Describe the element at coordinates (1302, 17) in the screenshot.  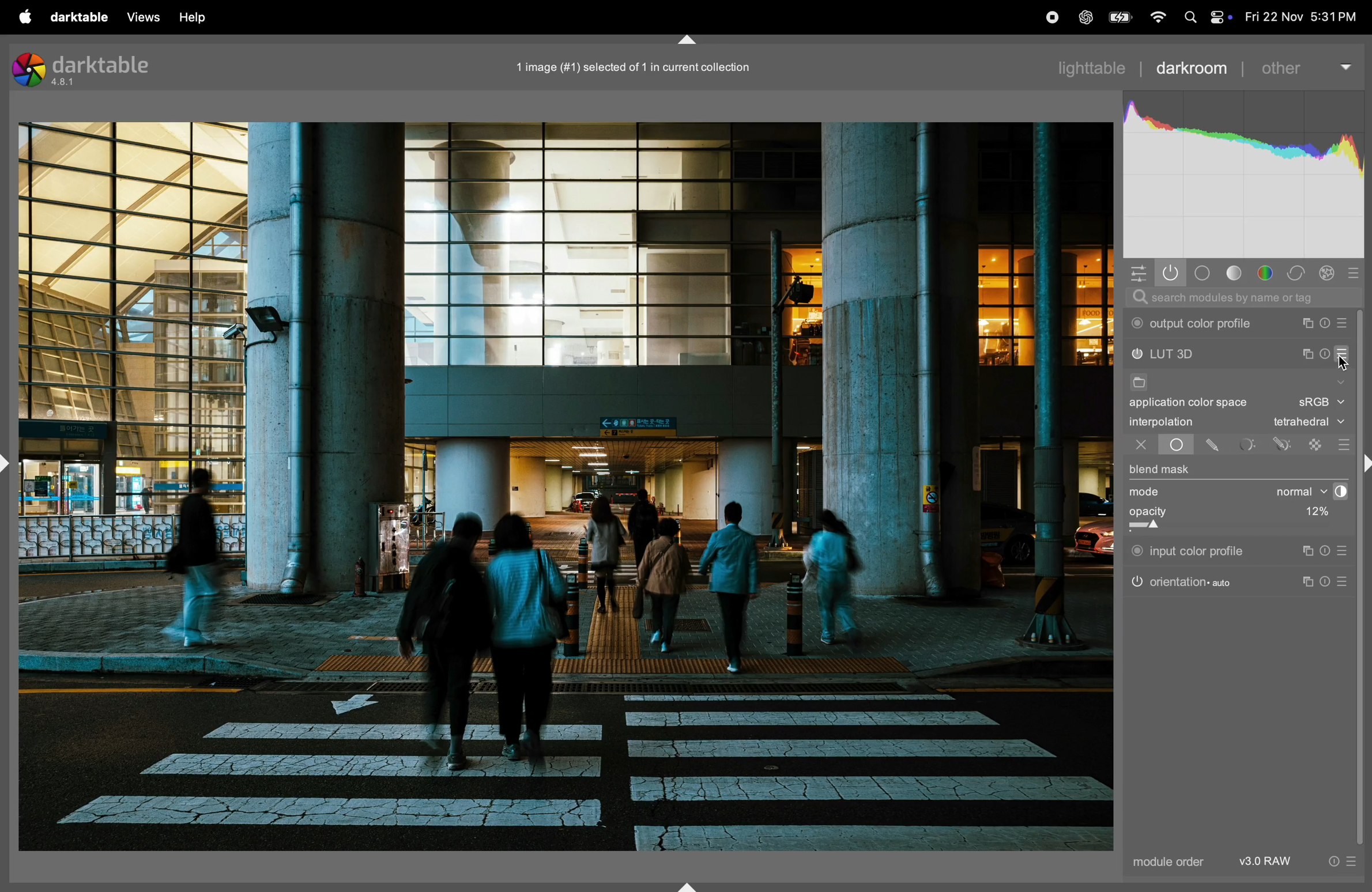
I see `date and time` at that location.